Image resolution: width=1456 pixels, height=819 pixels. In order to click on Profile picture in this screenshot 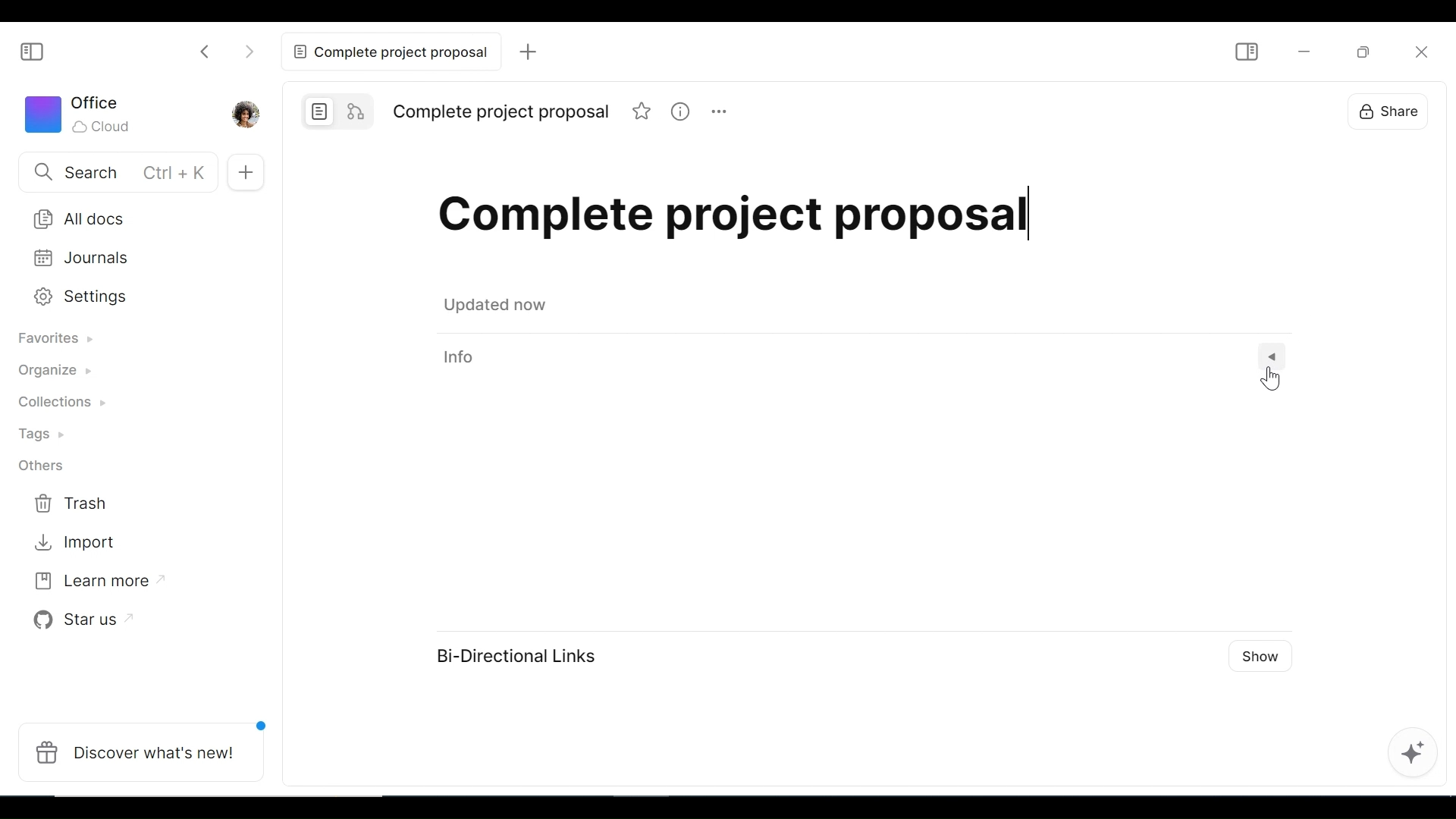, I will do `click(246, 113)`.